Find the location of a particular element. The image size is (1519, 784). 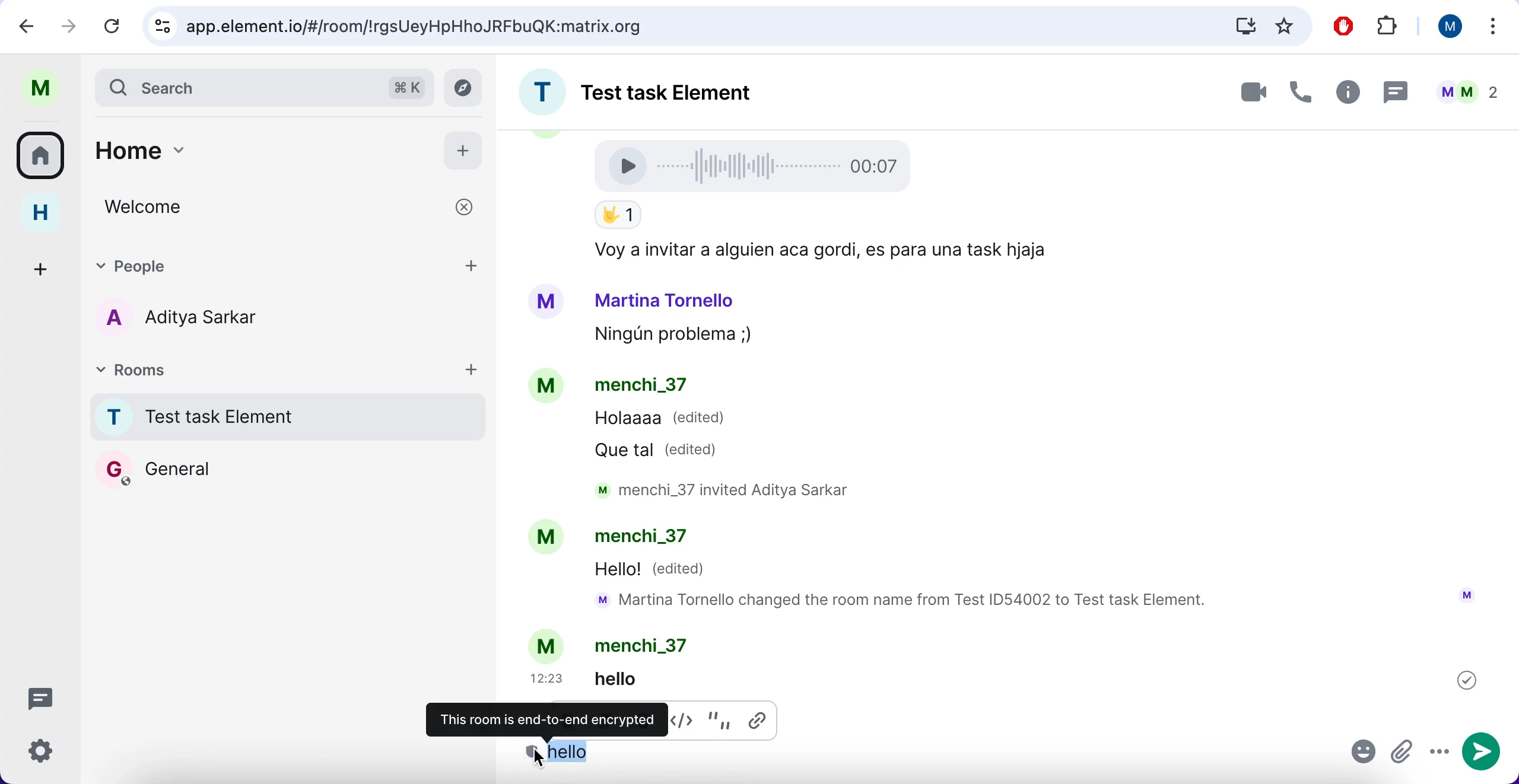

welcome is located at coordinates (291, 207).